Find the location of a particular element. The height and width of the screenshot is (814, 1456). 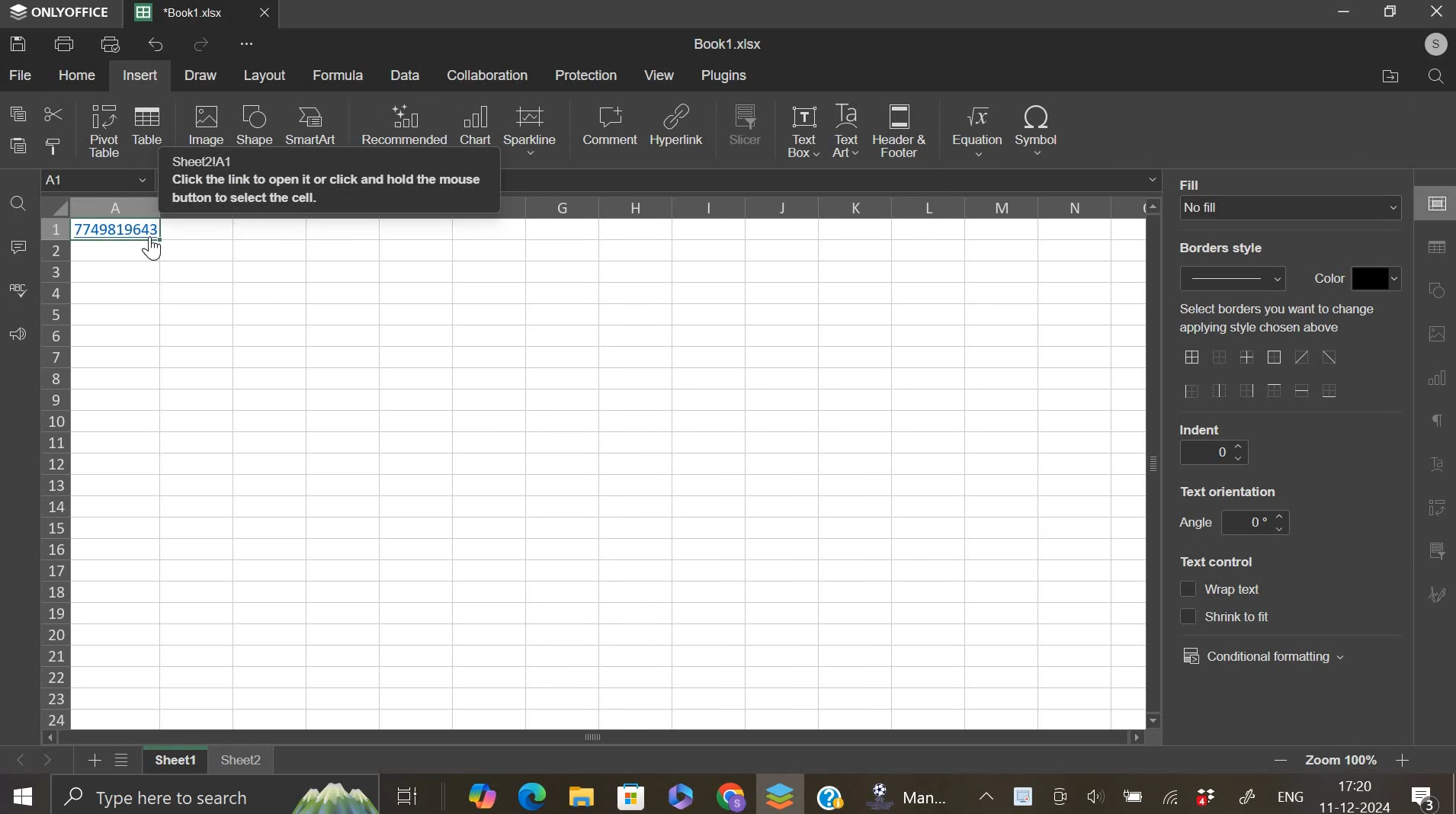

color is located at coordinates (1377, 278).